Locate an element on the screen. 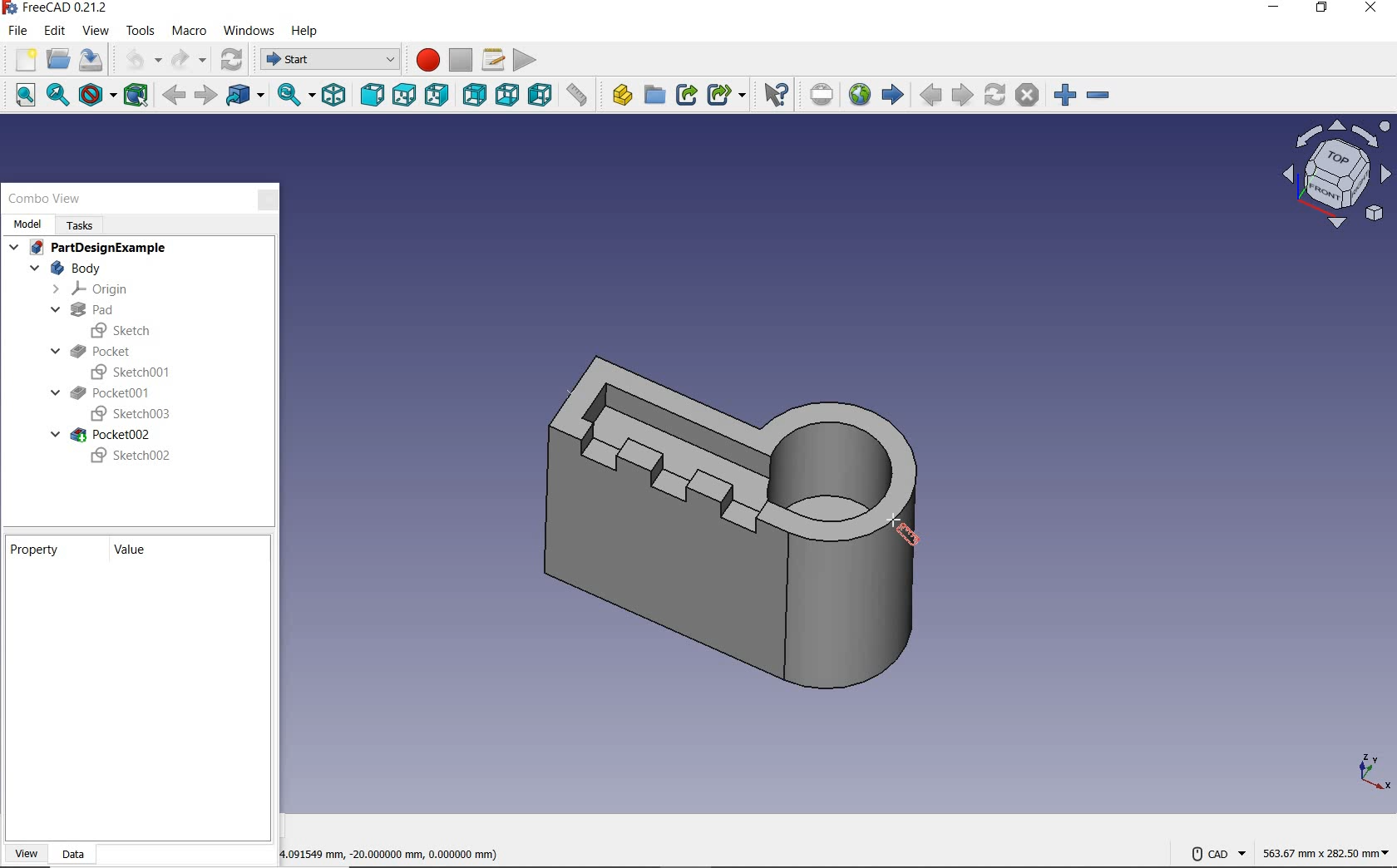 The height and width of the screenshot is (868, 1397). Distance tool at point B is located at coordinates (906, 533).